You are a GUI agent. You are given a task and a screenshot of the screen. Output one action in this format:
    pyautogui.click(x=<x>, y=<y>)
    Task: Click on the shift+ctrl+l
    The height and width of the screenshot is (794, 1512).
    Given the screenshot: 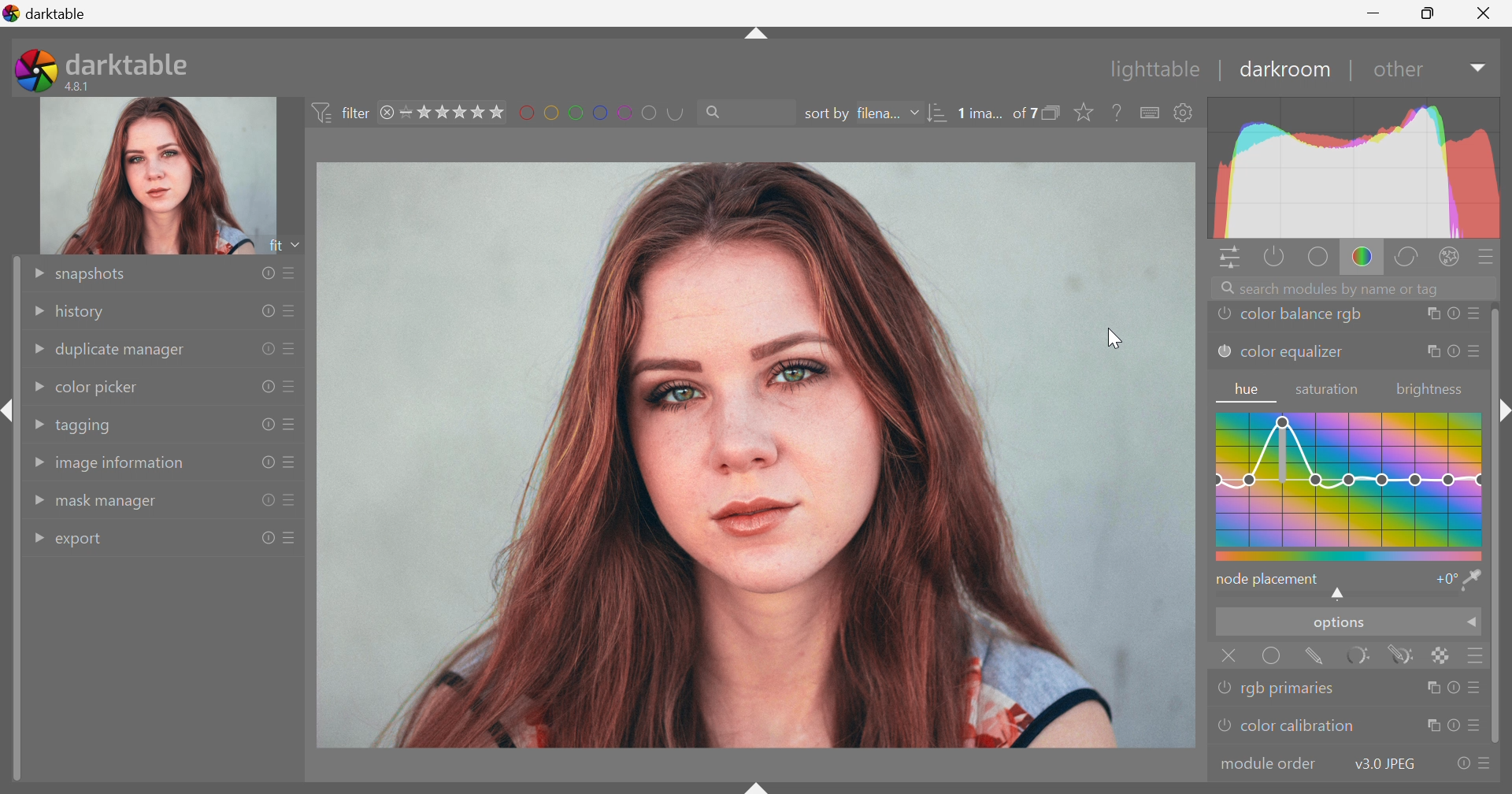 What is the action you would take?
    pyautogui.click(x=9, y=410)
    